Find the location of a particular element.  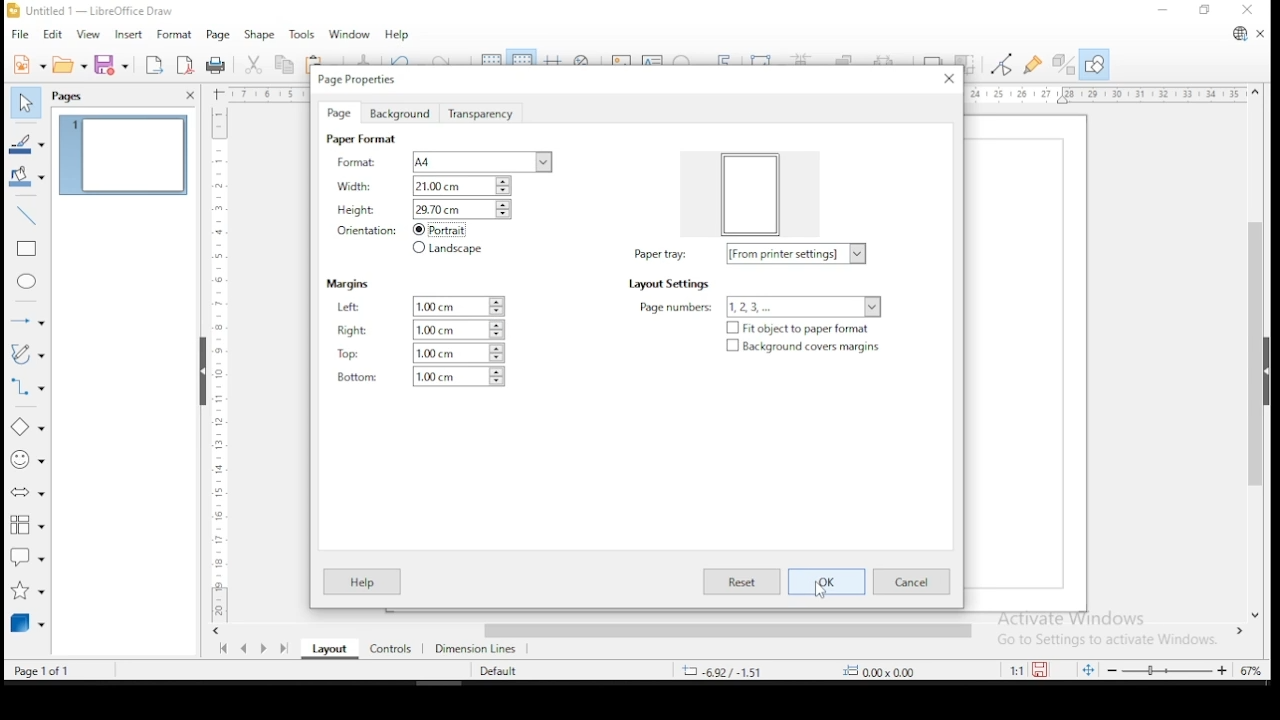

new is located at coordinates (25, 63).